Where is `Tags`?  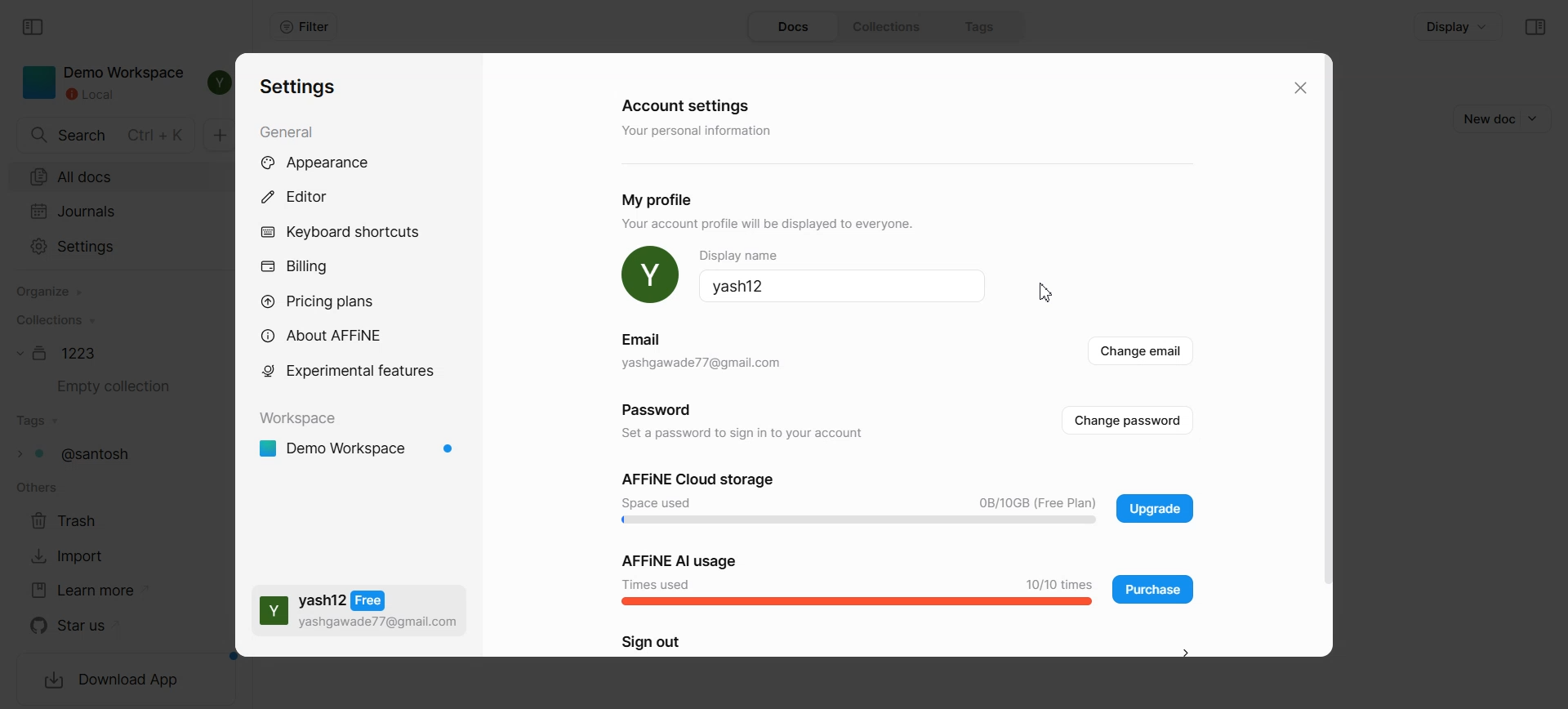 Tags is located at coordinates (982, 26).